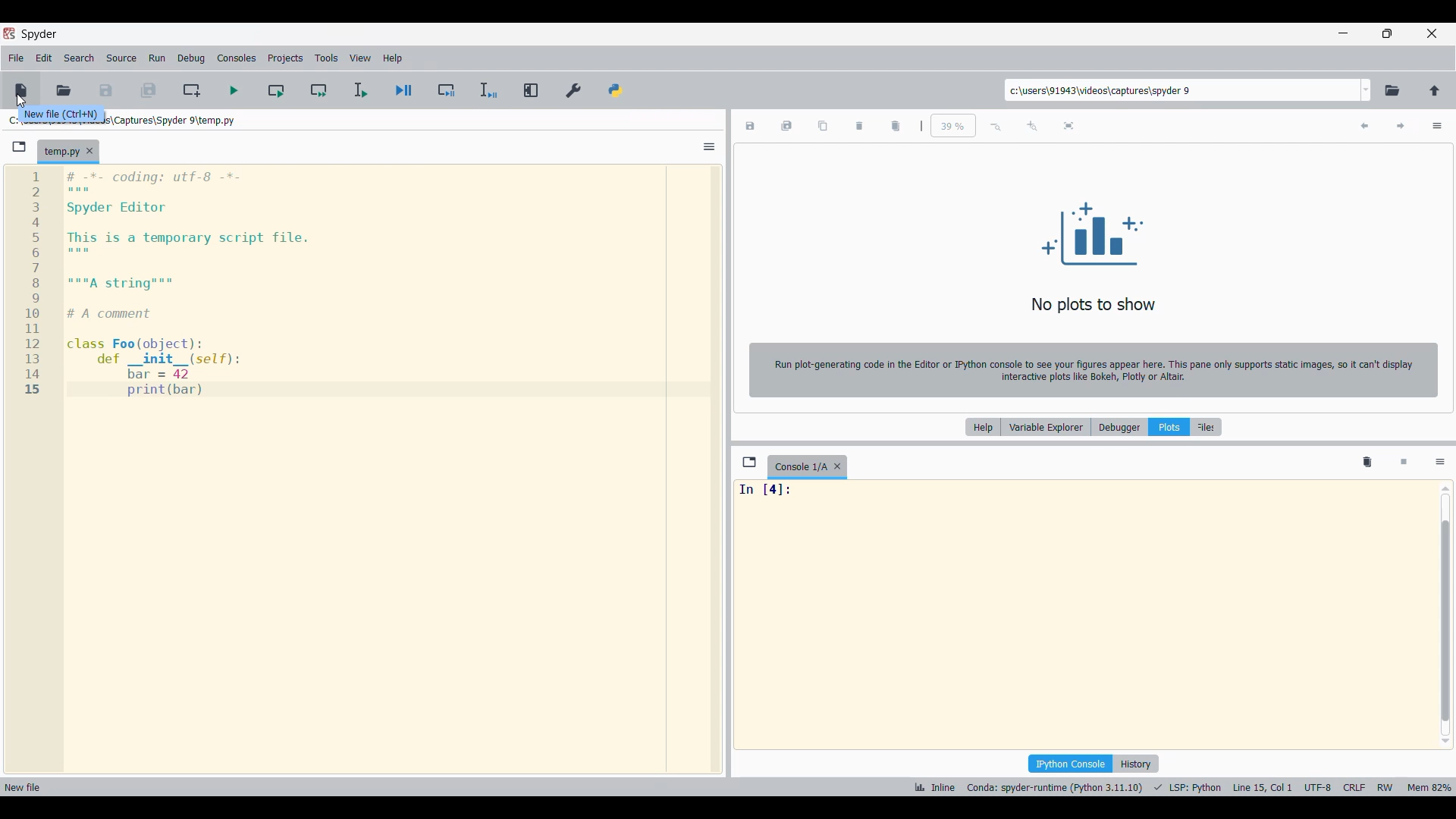 Image resolution: width=1456 pixels, height=819 pixels. I want to click on Search menu, so click(80, 58).